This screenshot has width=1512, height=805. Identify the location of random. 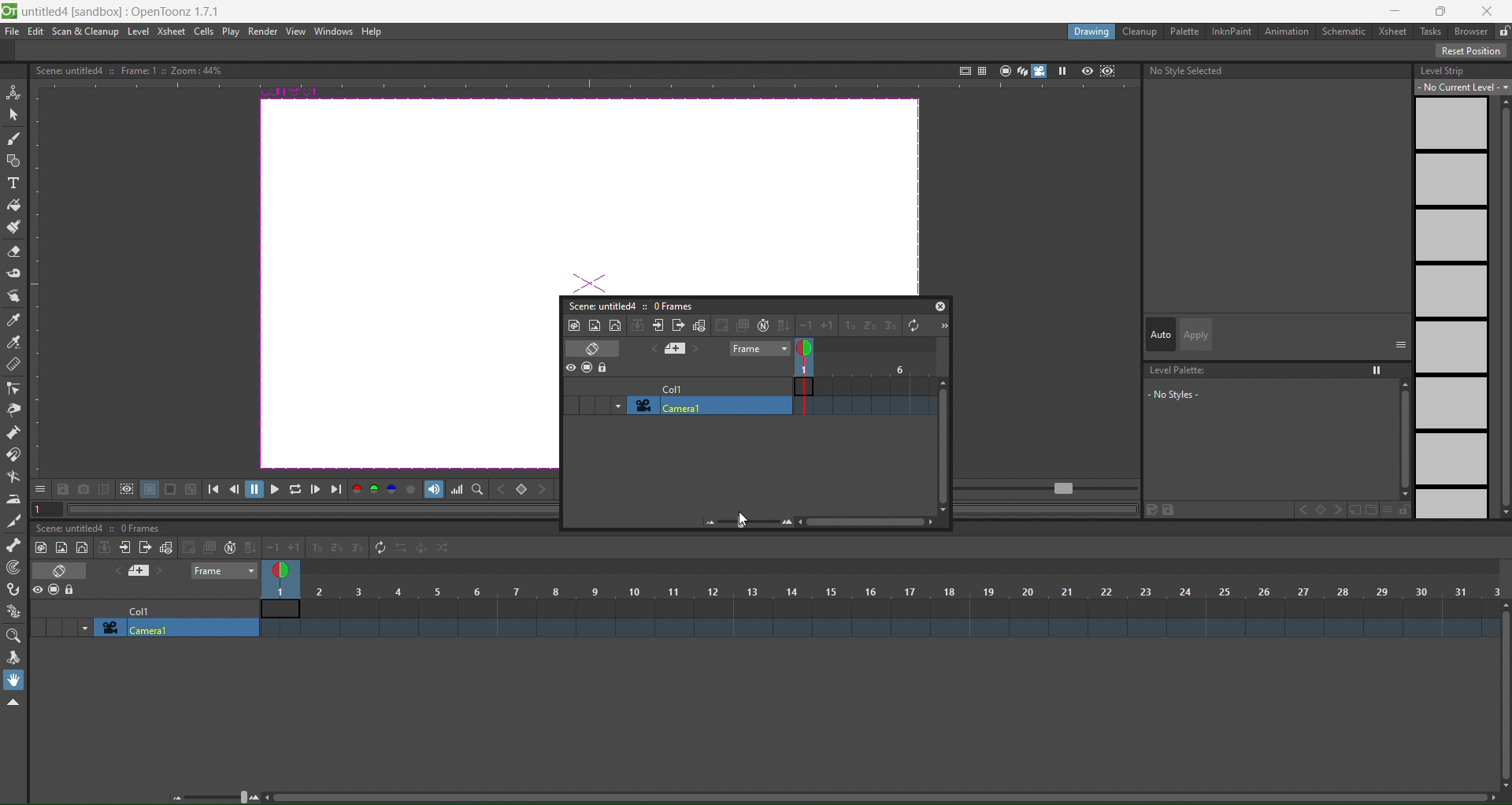
(444, 548).